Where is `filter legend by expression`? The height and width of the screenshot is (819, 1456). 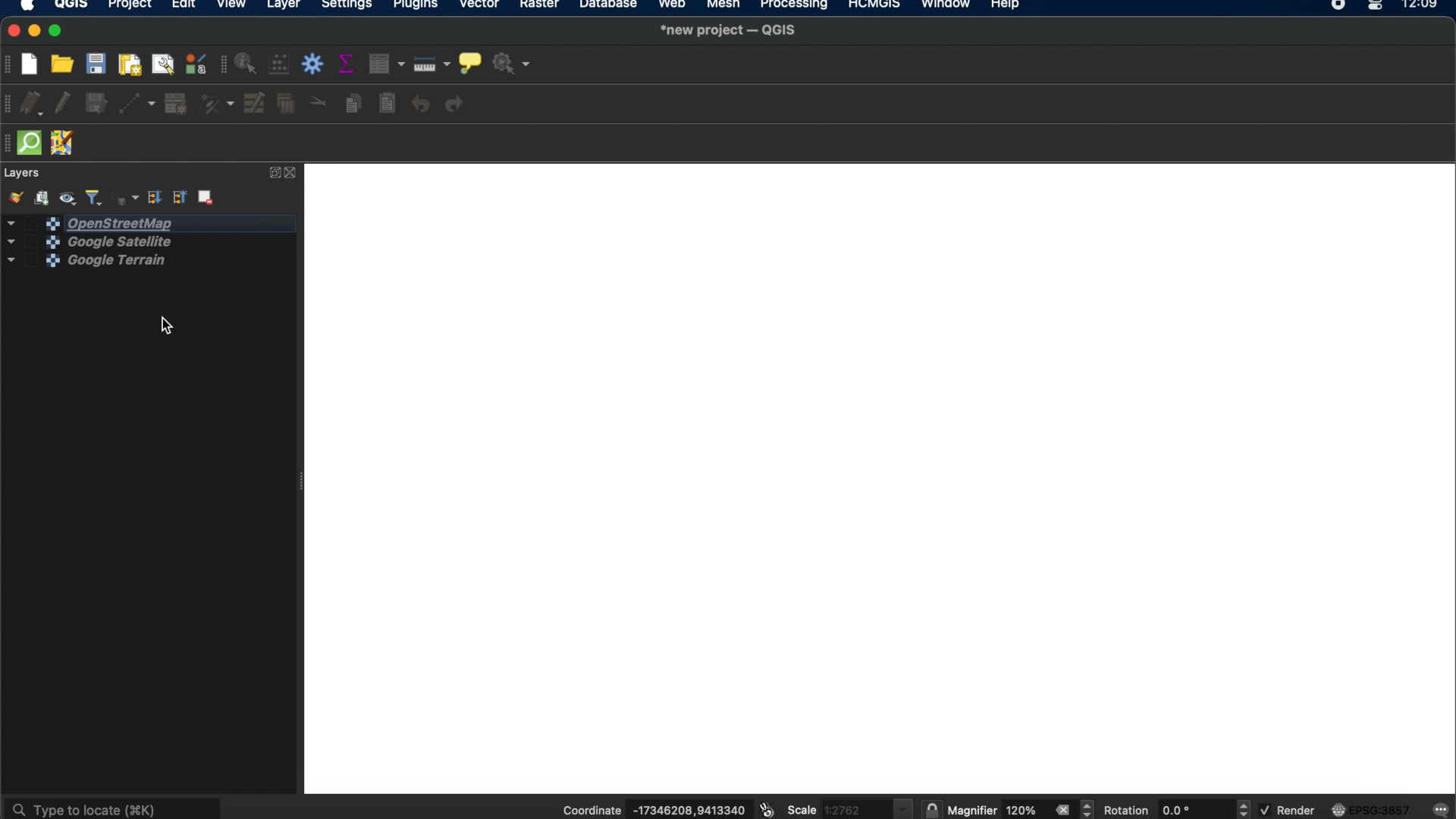
filter legend by expression is located at coordinates (124, 196).